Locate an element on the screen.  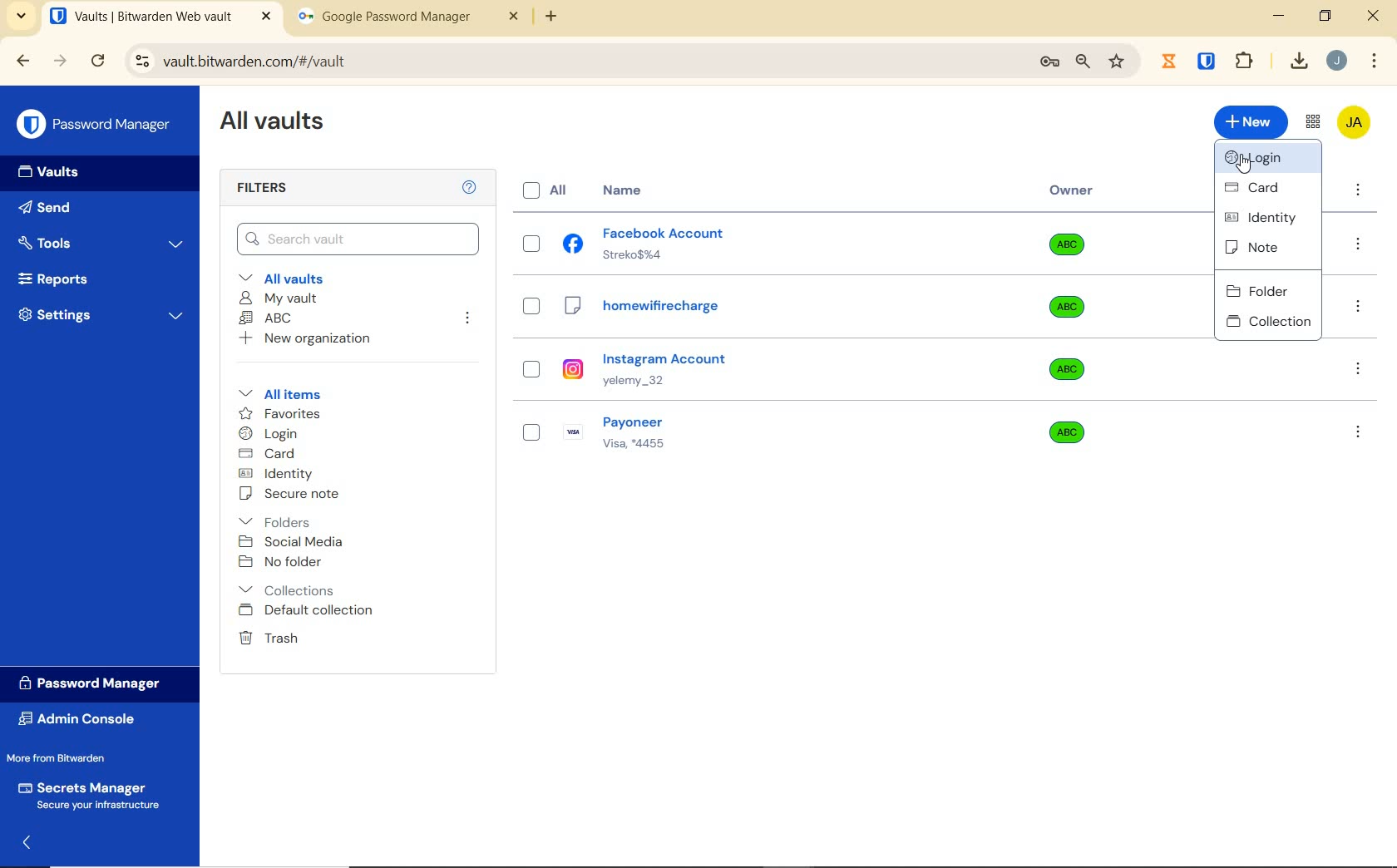
instagram account is located at coordinates (649, 375).